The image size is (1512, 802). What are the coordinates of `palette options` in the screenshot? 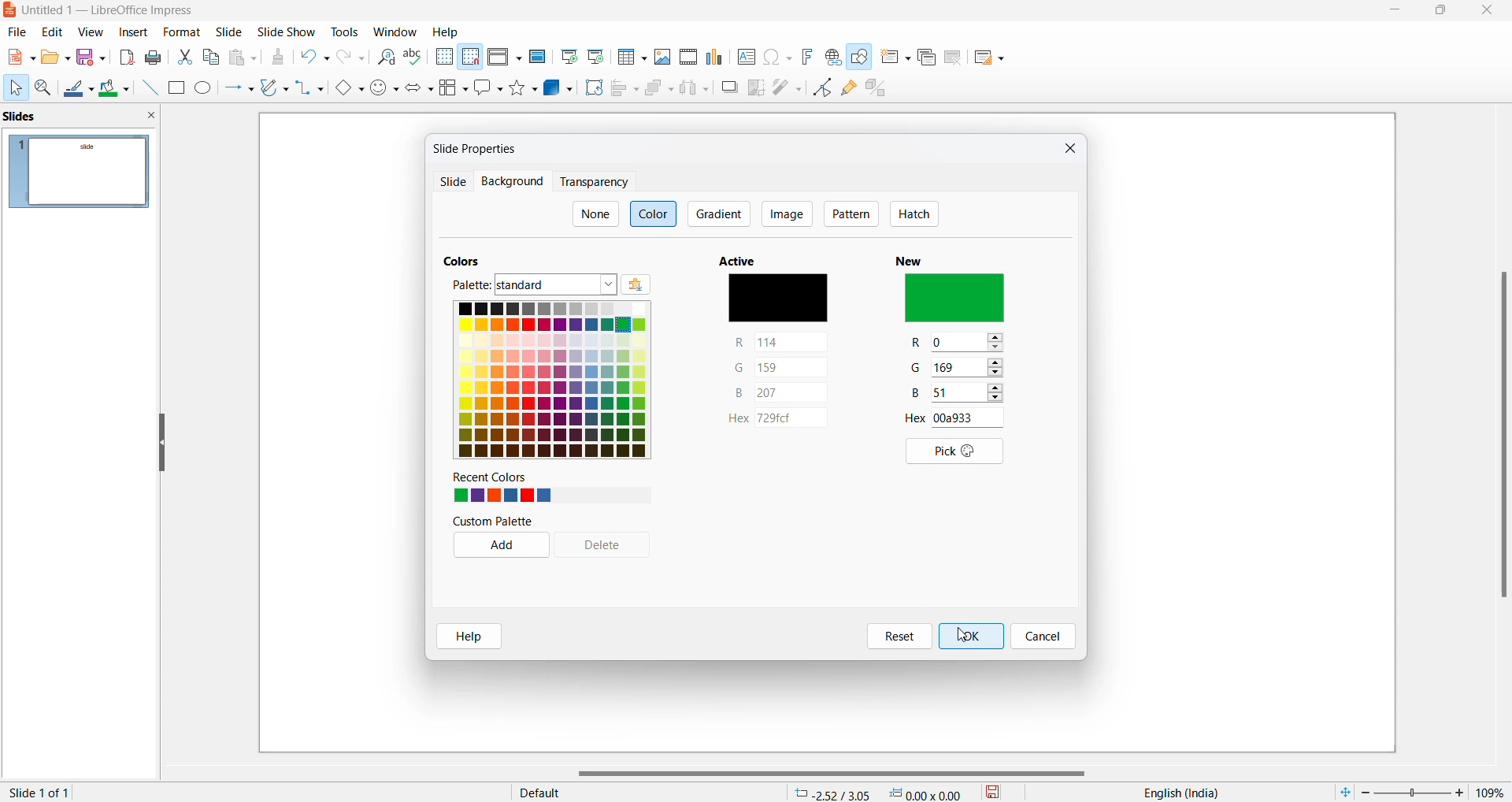 It's located at (557, 285).